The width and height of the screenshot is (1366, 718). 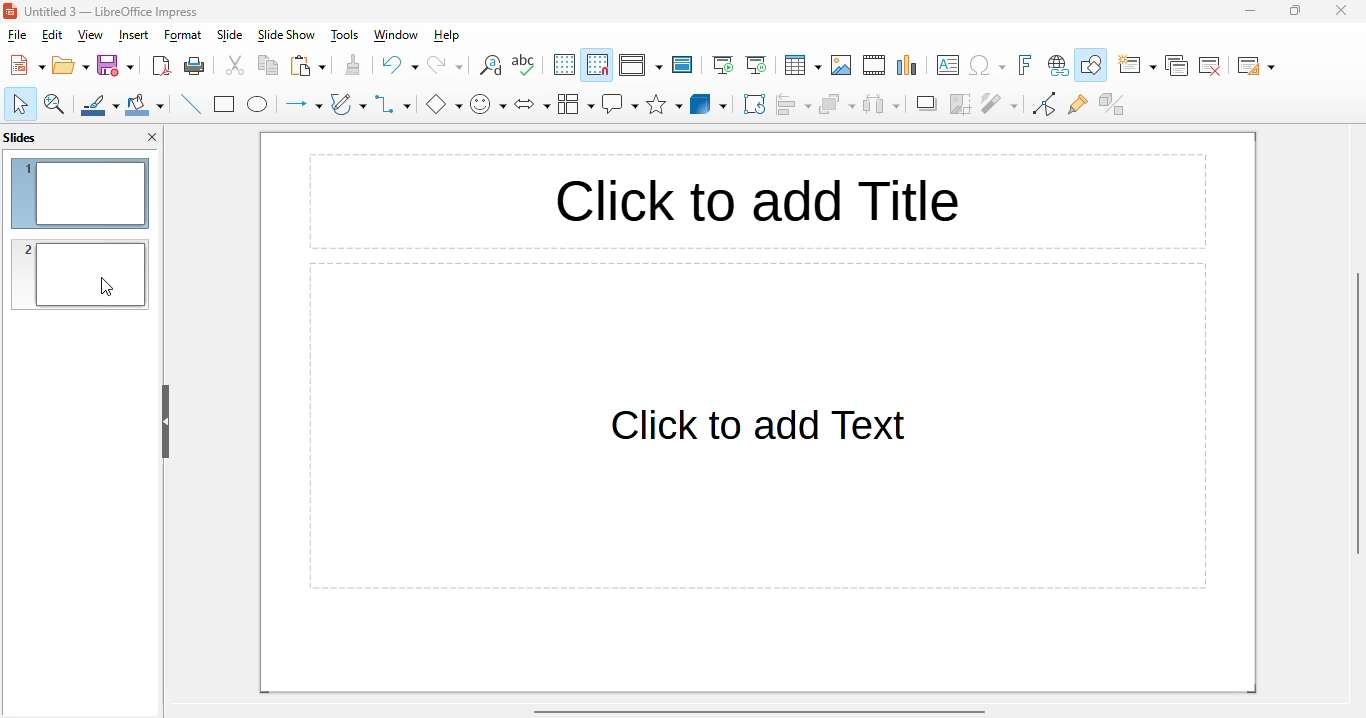 I want to click on 3D objects, so click(x=709, y=104).